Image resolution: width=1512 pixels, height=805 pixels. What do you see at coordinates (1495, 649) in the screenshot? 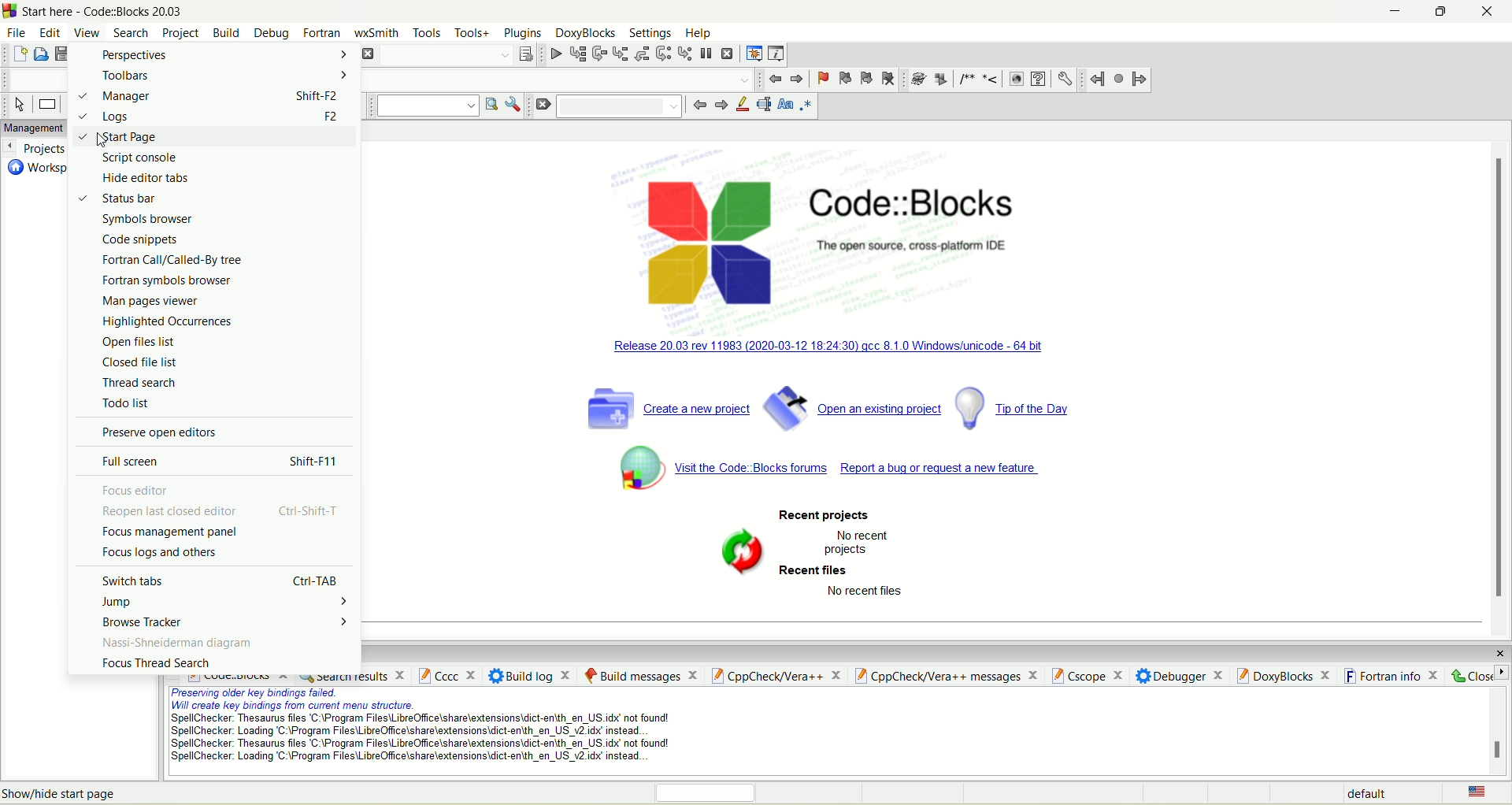
I see `close` at bounding box center [1495, 649].